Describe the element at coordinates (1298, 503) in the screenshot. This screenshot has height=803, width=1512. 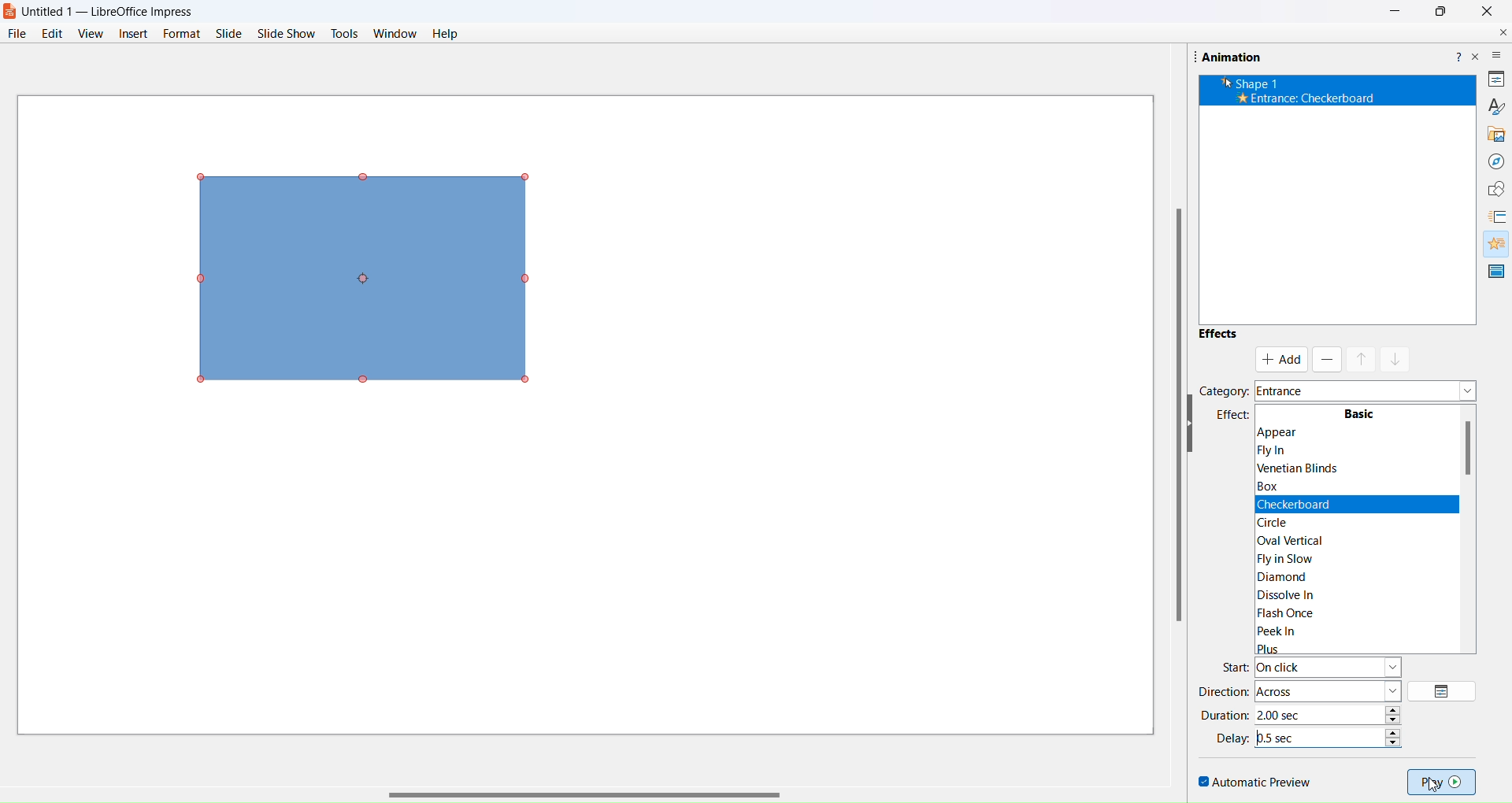
I see `Checkerboard` at that location.